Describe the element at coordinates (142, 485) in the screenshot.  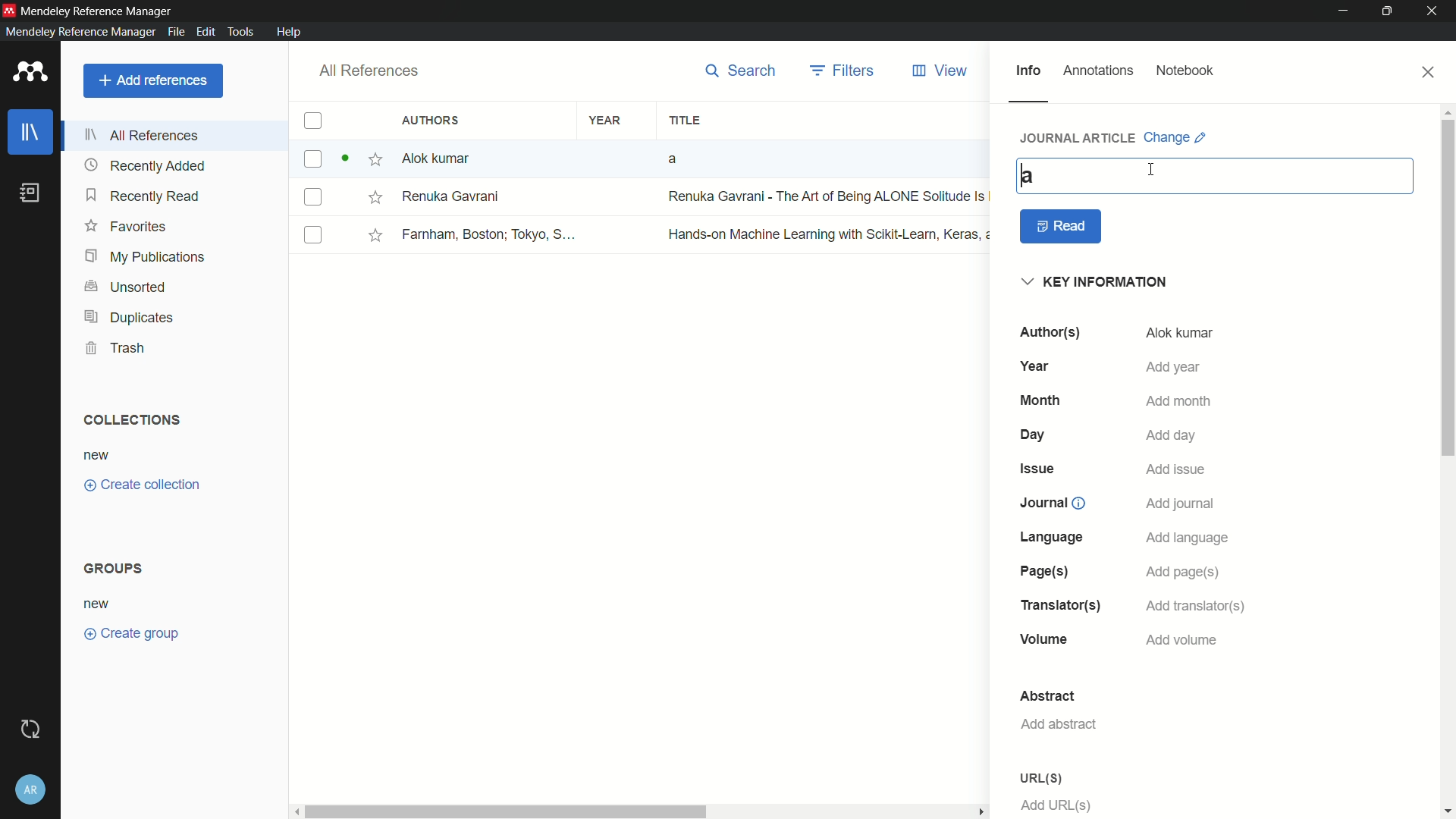
I see `create collections` at that location.